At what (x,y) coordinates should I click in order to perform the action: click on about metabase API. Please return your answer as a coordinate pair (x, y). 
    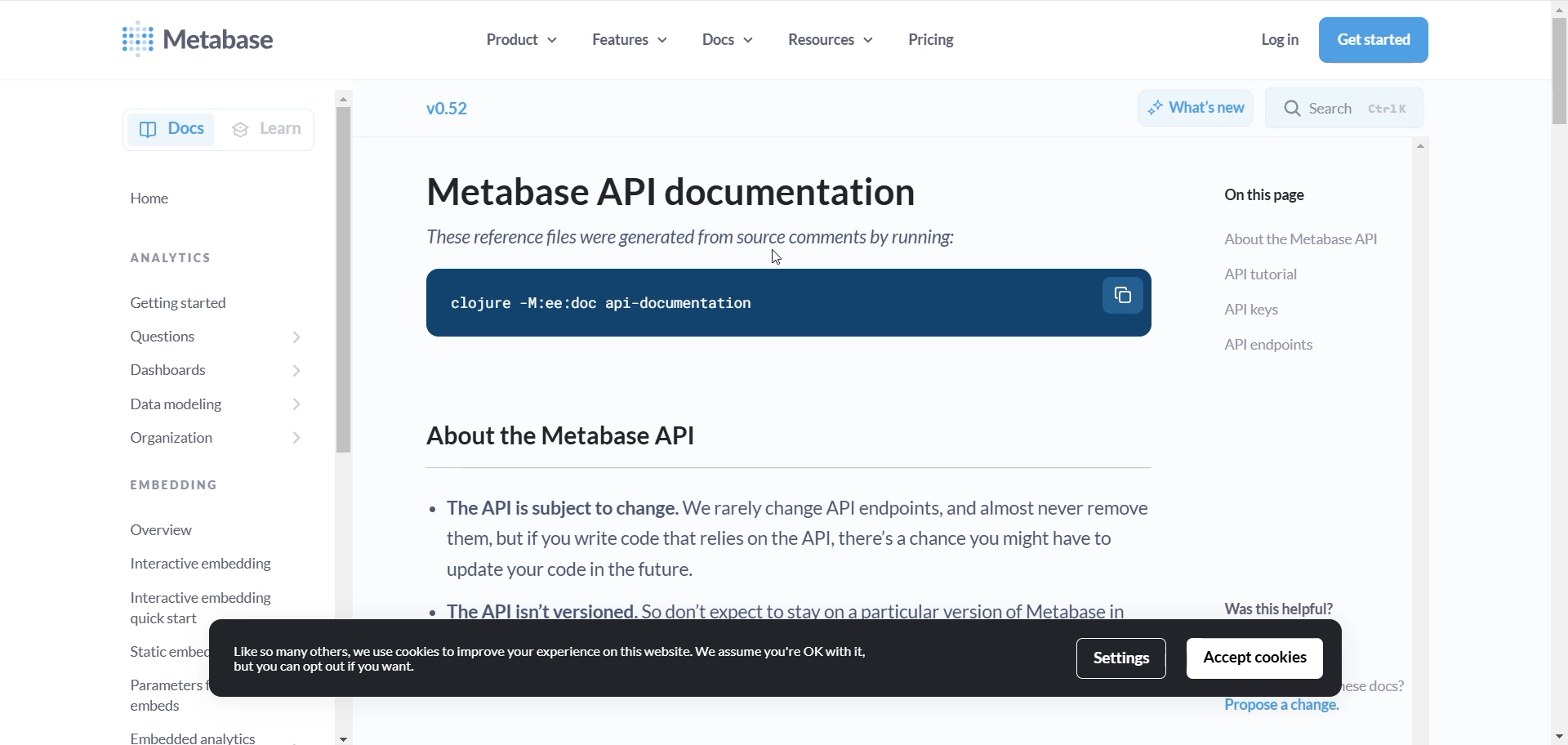
    Looking at the image, I should click on (1299, 242).